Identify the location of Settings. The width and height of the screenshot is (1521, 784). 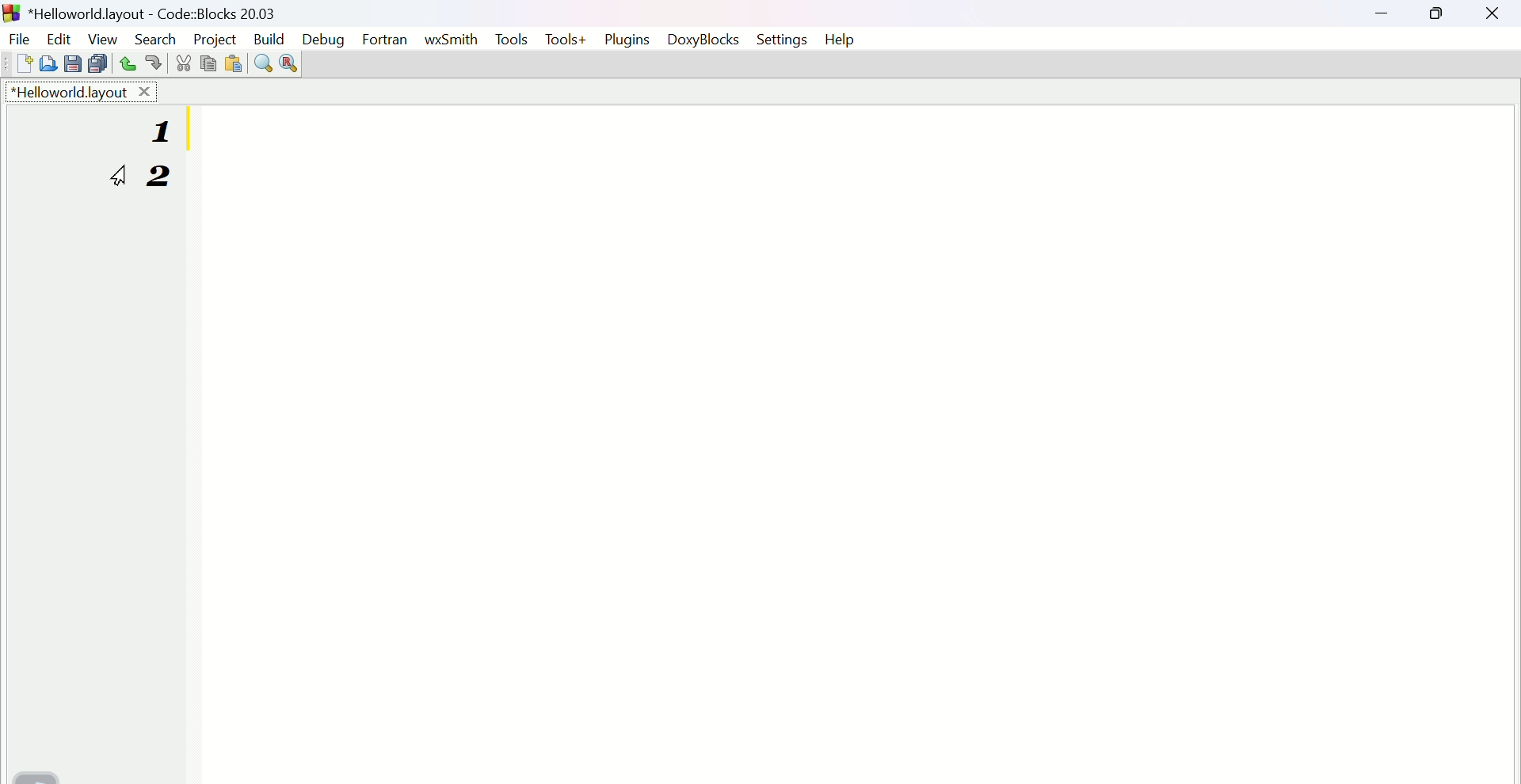
(783, 41).